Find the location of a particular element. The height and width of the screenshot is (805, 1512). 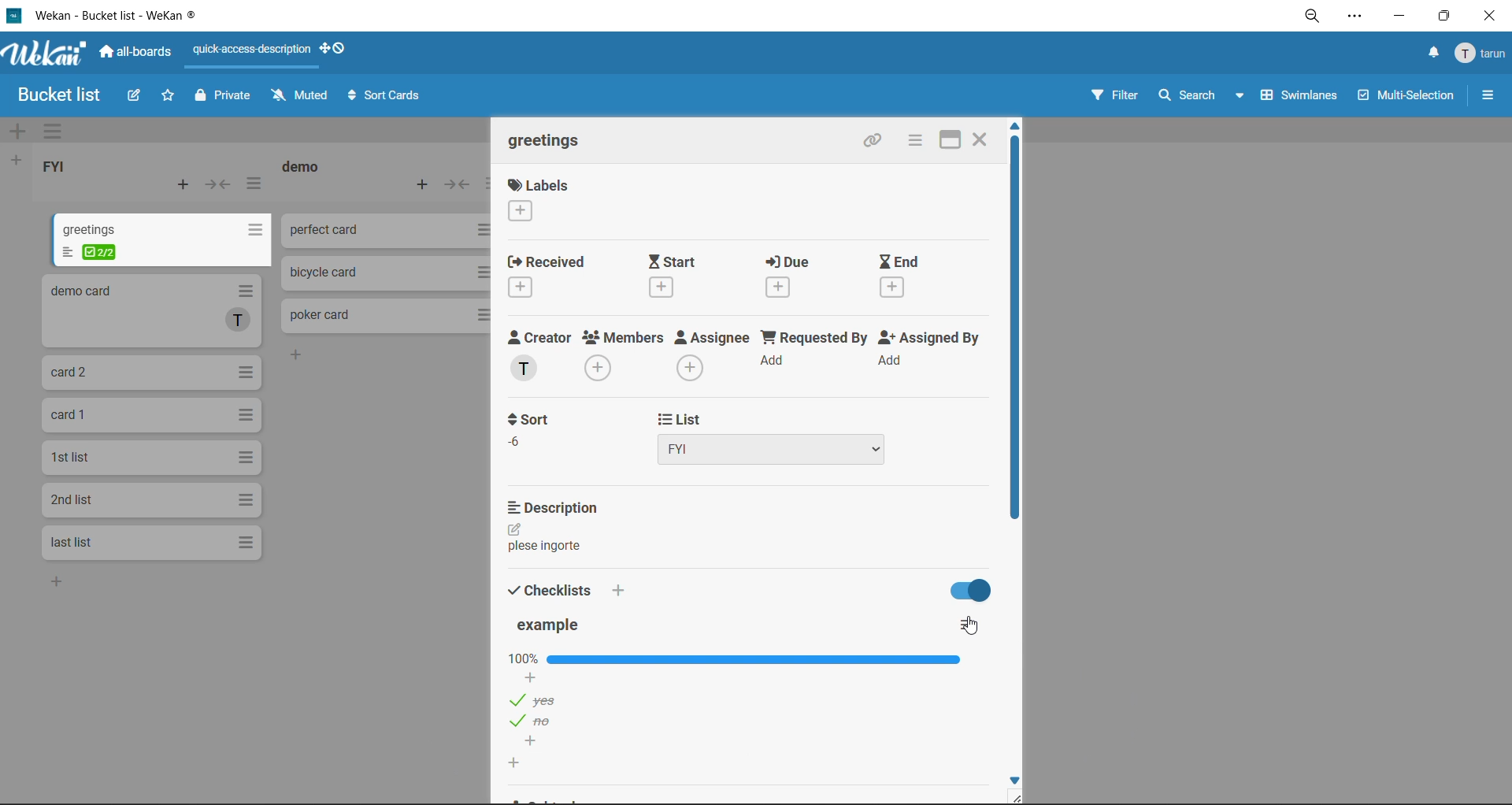

due is located at coordinates (790, 277).